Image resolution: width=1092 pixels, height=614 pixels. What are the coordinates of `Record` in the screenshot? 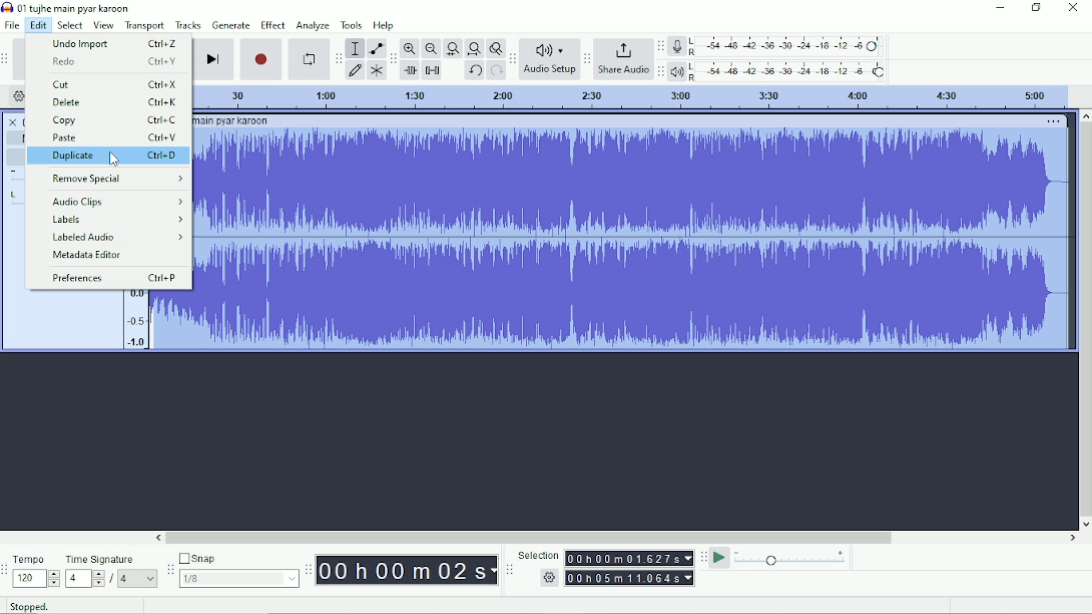 It's located at (261, 59).